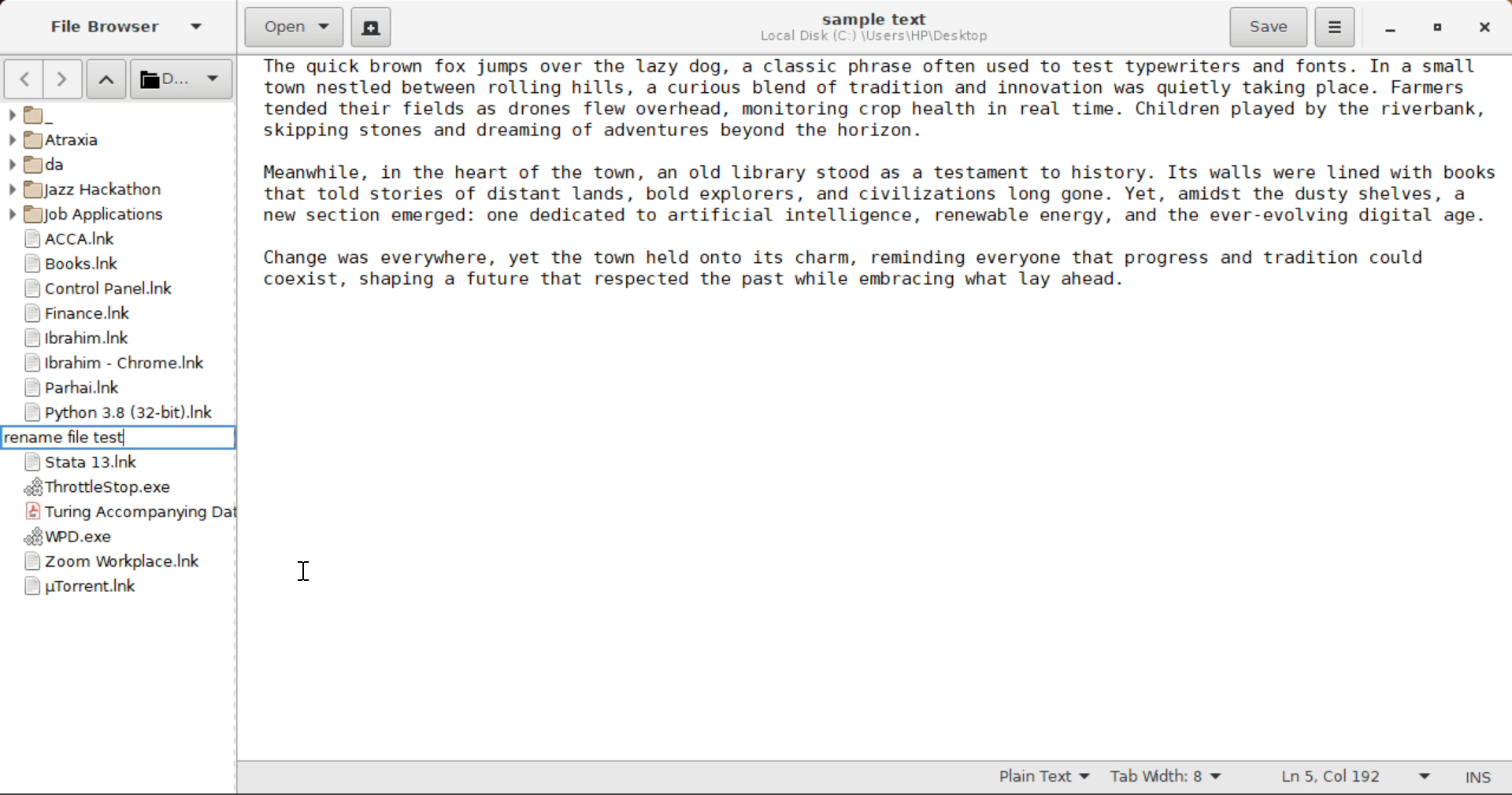 The width and height of the screenshot is (1512, 795). What do you see at coordinates (877, 38) in the screenshot?
I see `File Location` at bounding box center [877, 38].